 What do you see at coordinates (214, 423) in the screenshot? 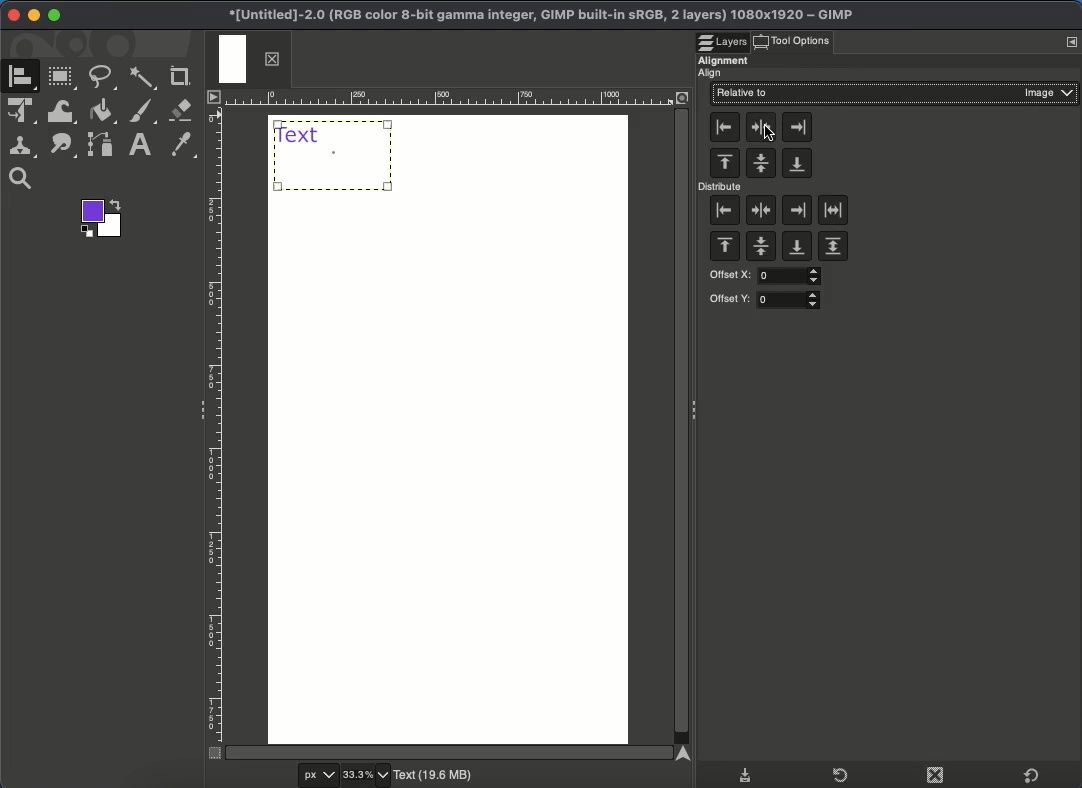
I see `Ruler` at bounding box center [214, 423].